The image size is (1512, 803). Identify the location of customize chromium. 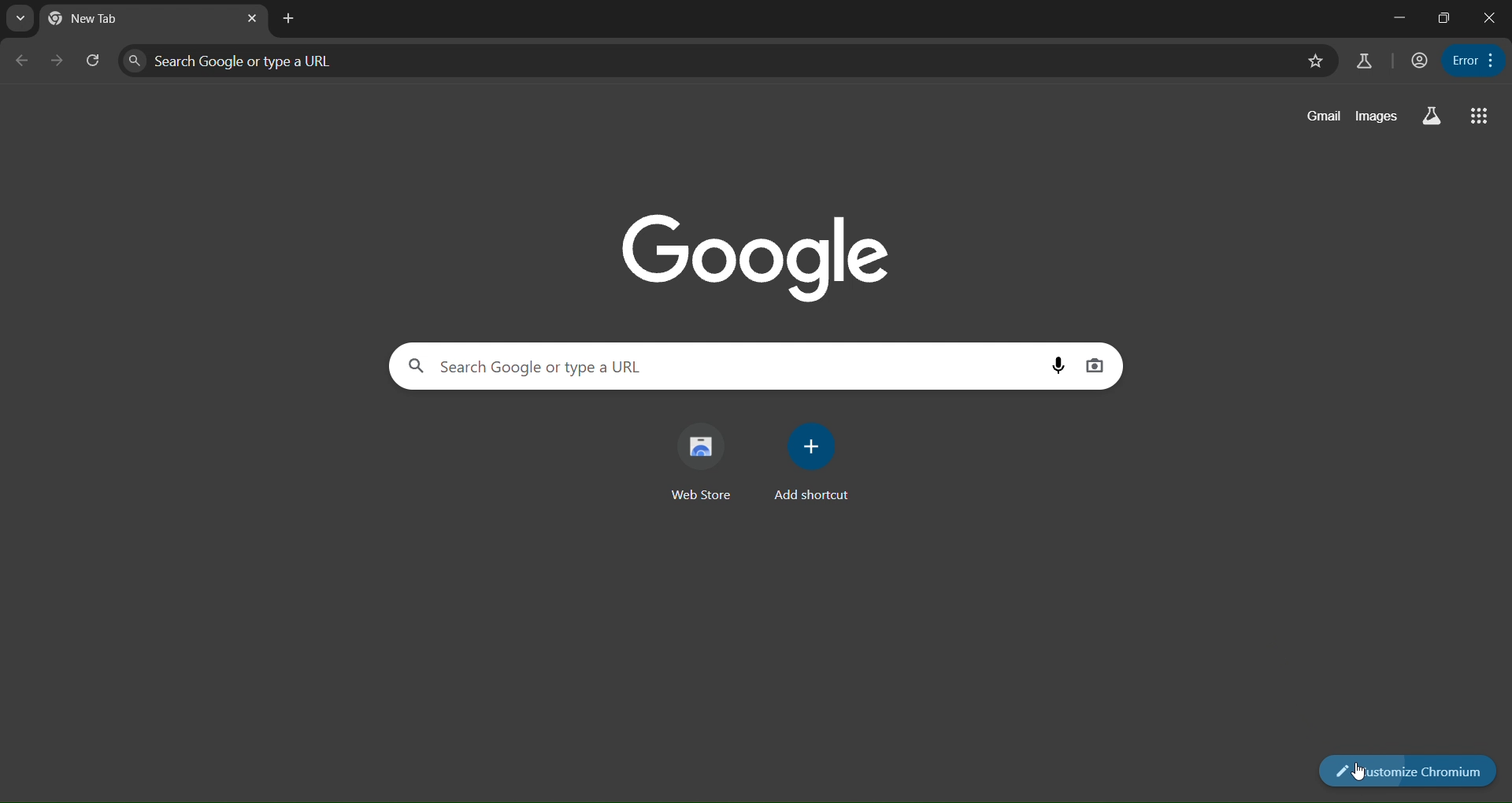
(1408, 771).